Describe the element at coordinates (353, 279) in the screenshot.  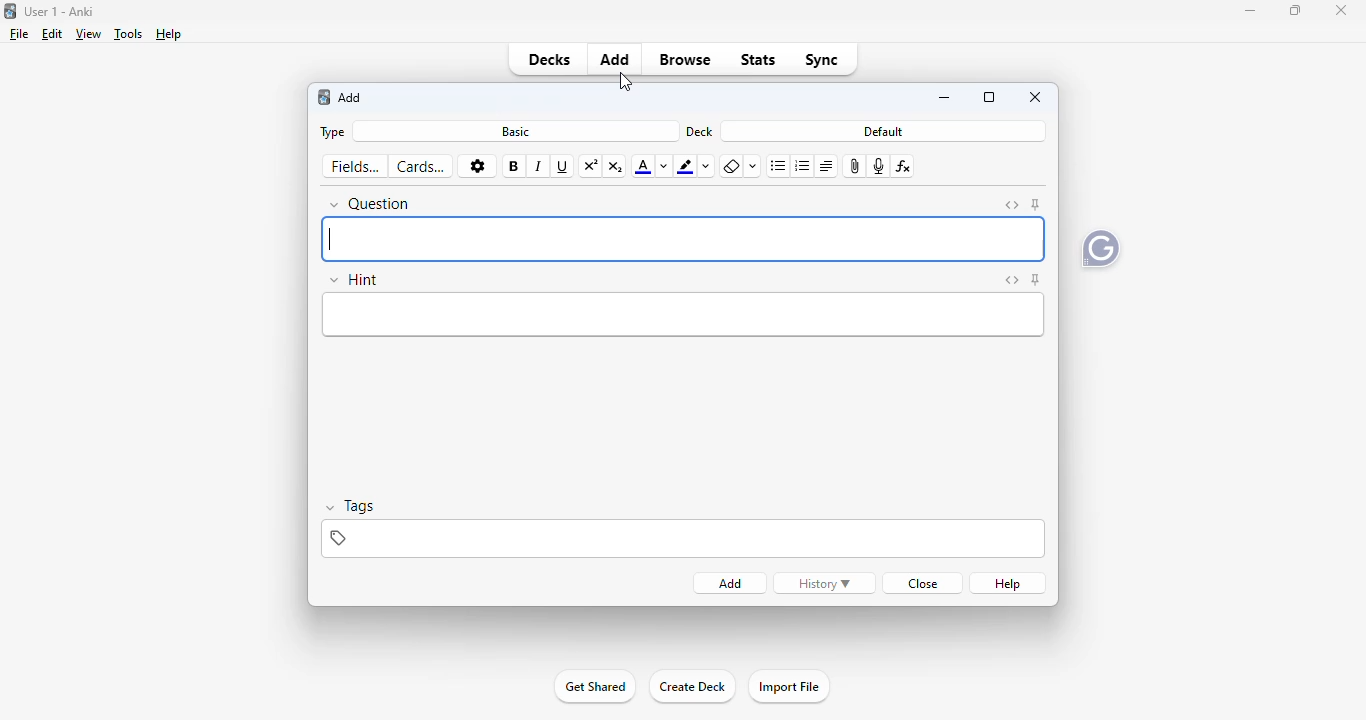
I see `hint` at that location.